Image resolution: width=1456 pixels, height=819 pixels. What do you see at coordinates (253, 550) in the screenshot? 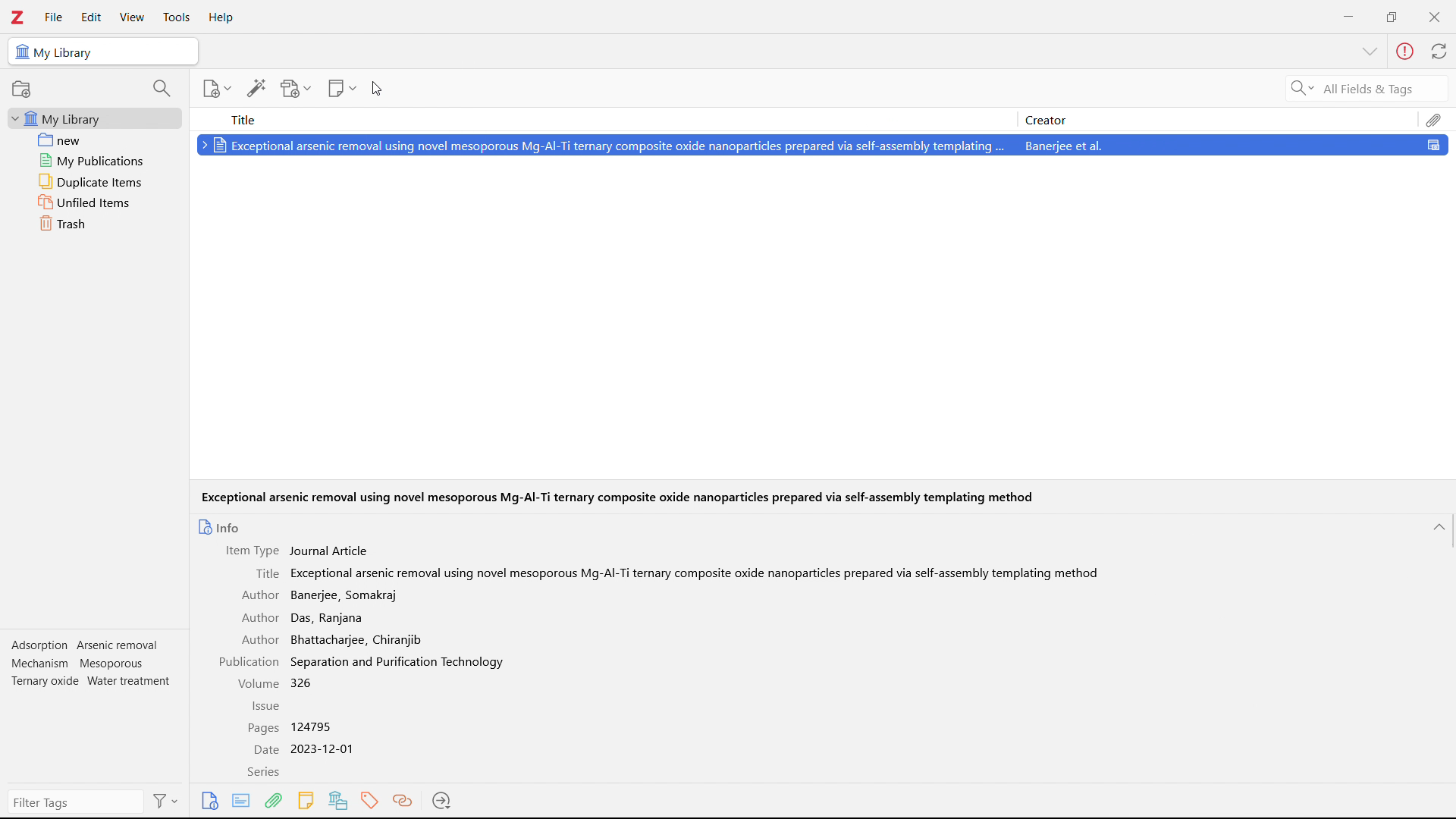
I see `Item Type` at bounding box center [253, 550].